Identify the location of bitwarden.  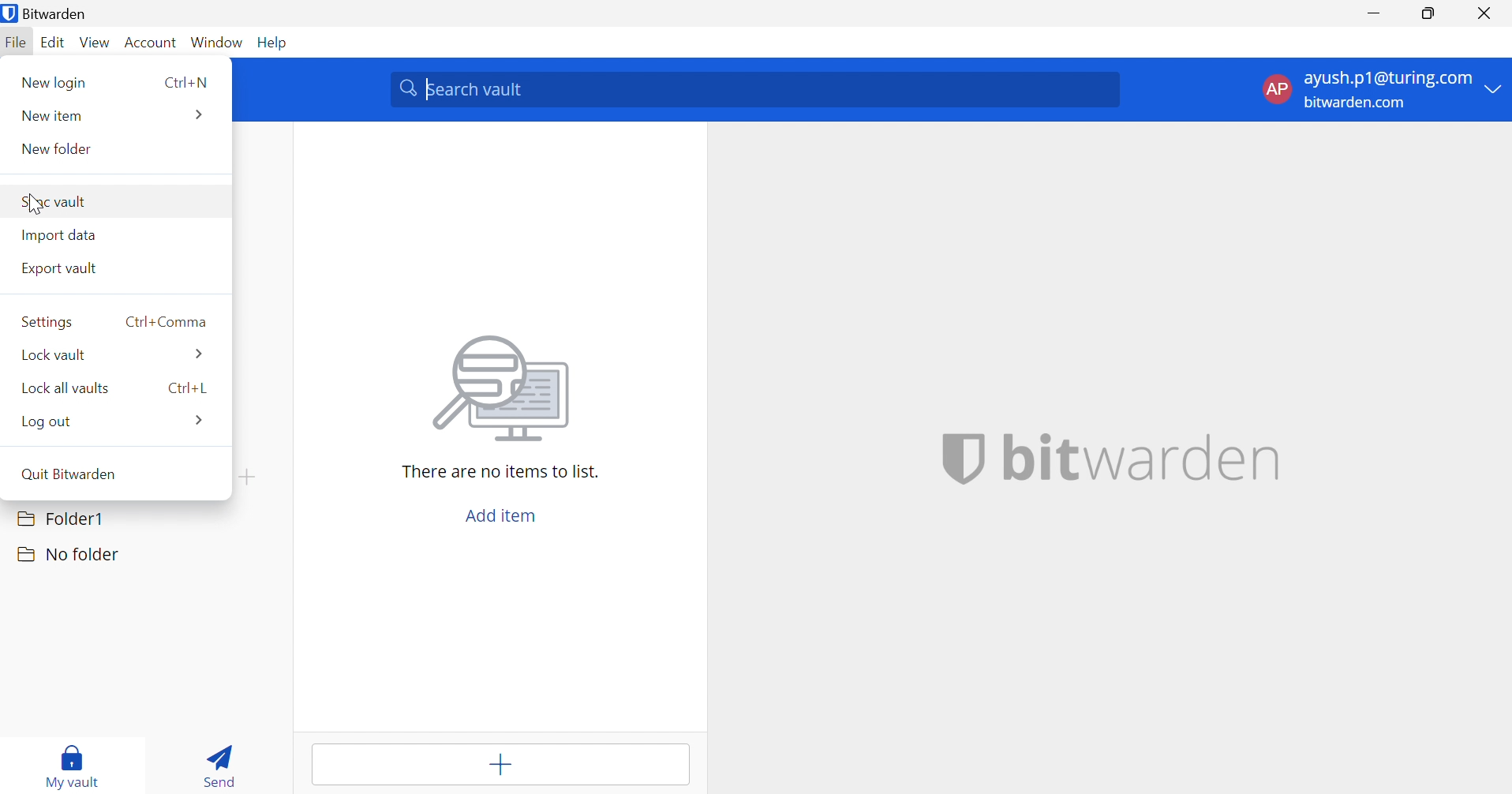
(1143, 455).